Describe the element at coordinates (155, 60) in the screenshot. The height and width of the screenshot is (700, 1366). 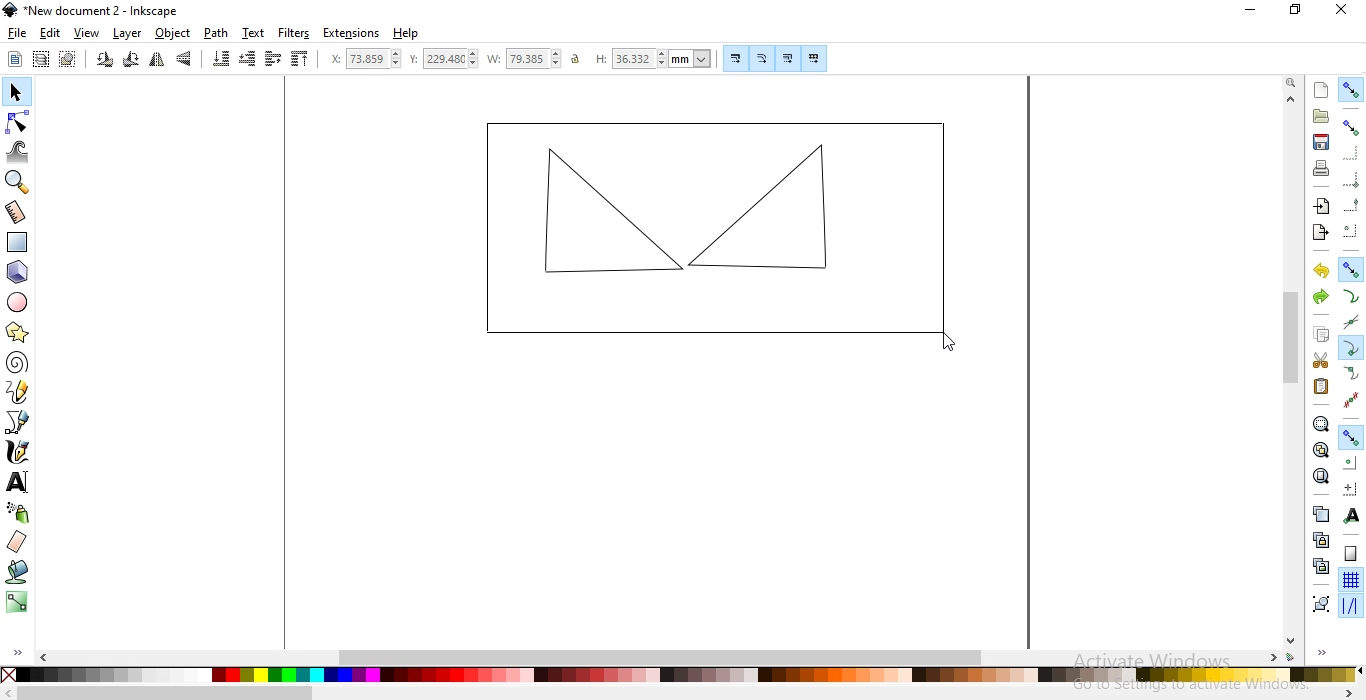
I see `flip horizontally` at that location.